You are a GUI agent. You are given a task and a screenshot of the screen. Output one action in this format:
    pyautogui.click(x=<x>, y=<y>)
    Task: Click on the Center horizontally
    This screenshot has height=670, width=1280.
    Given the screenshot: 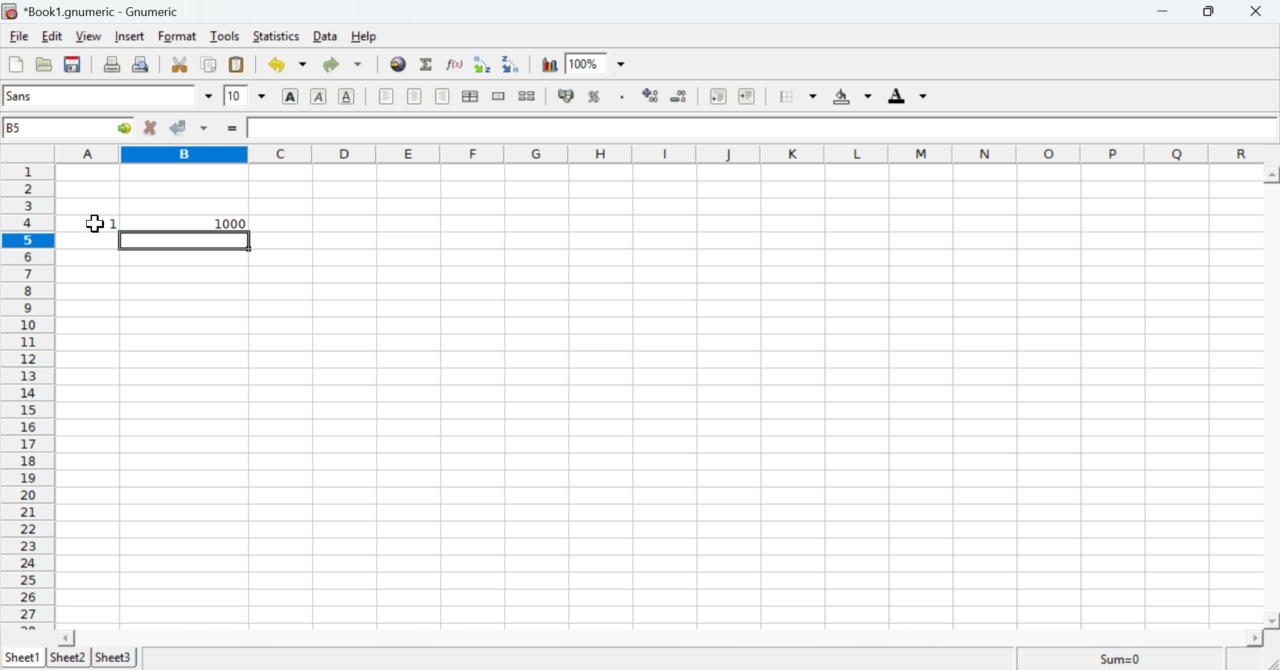 What is the action you would take?
    pyautogui.click(x=415, y=97)
    